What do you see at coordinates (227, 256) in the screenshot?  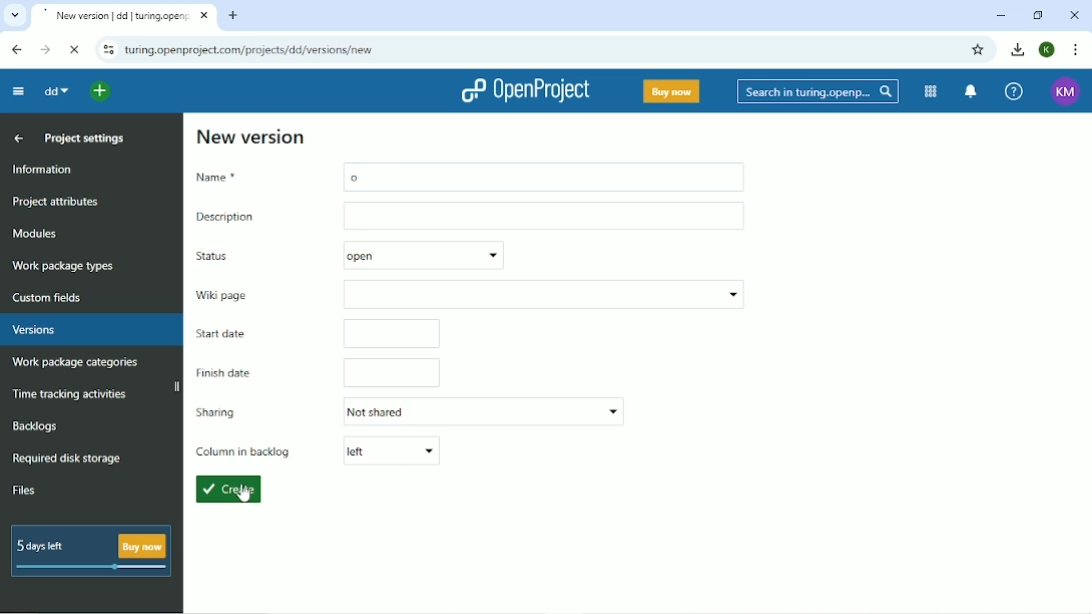 I see `Status` at bounding box center [227, 256].